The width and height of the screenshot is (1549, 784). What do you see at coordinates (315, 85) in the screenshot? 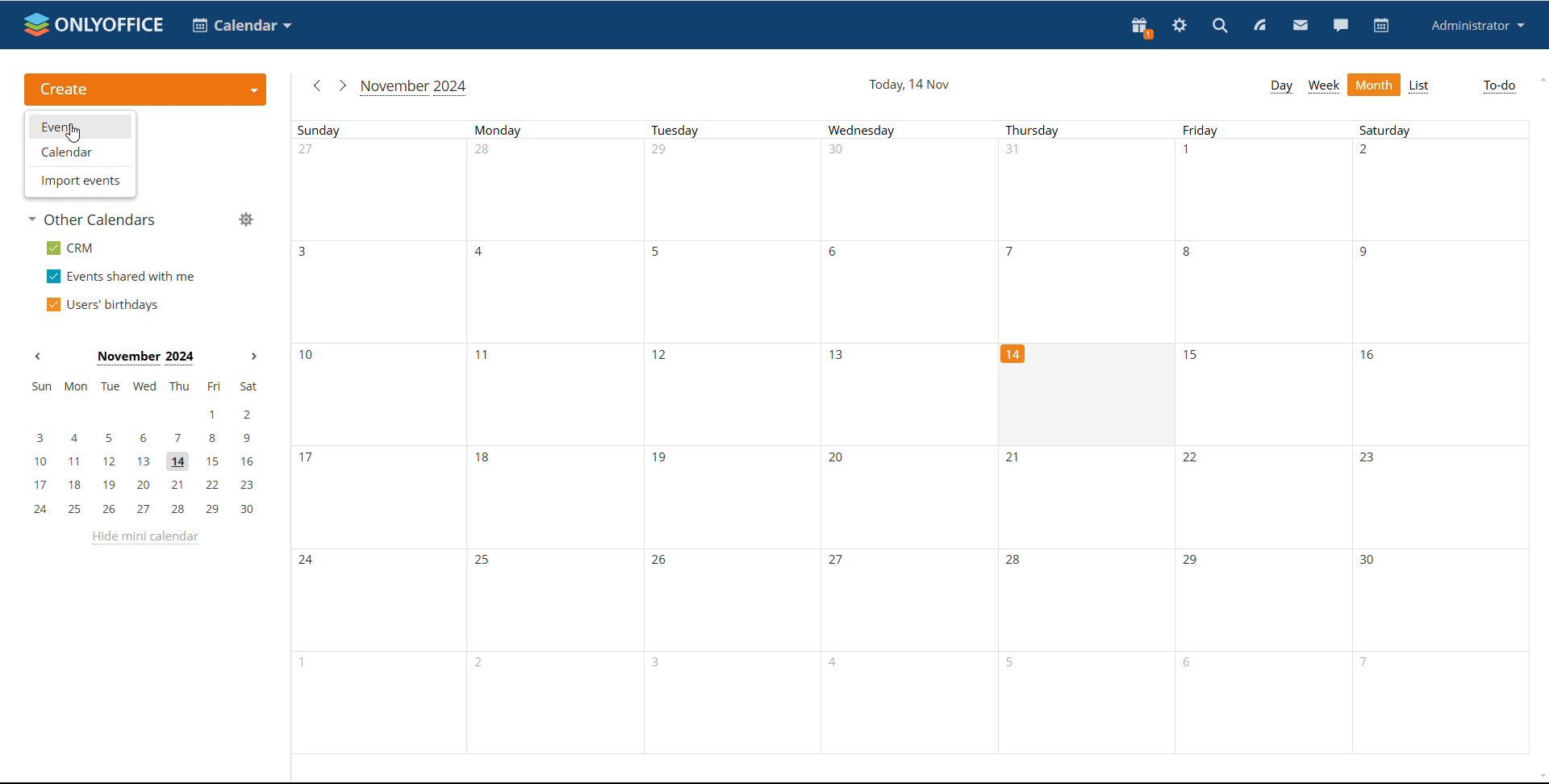
I see `previous month` at bounding box center [315, 85].